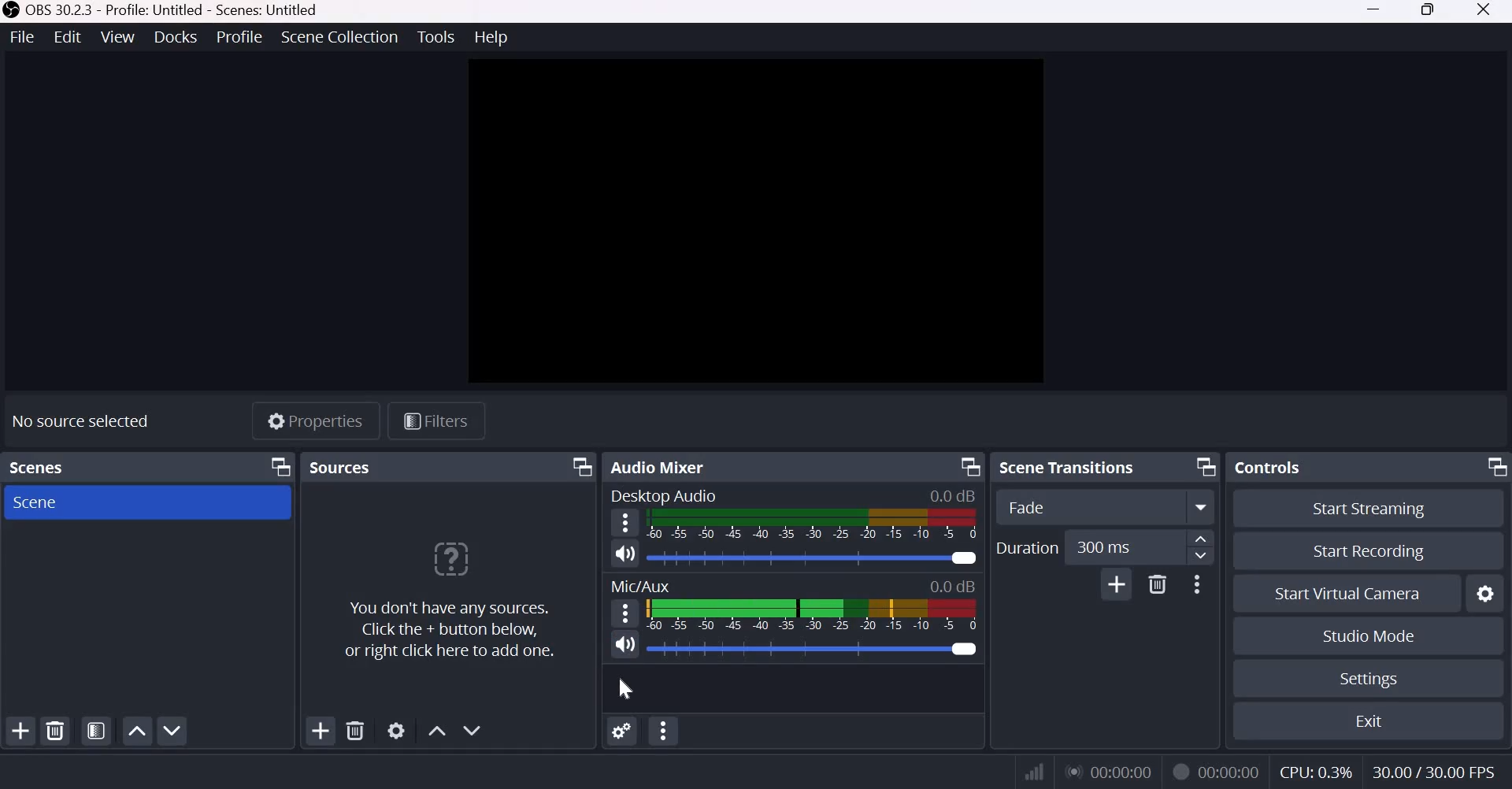 The image size is (1512, 789). What do you see at coordinates (1489, 469) in the screenshot?
I see `Dock Options icon` at bounding box center [1489, 469].